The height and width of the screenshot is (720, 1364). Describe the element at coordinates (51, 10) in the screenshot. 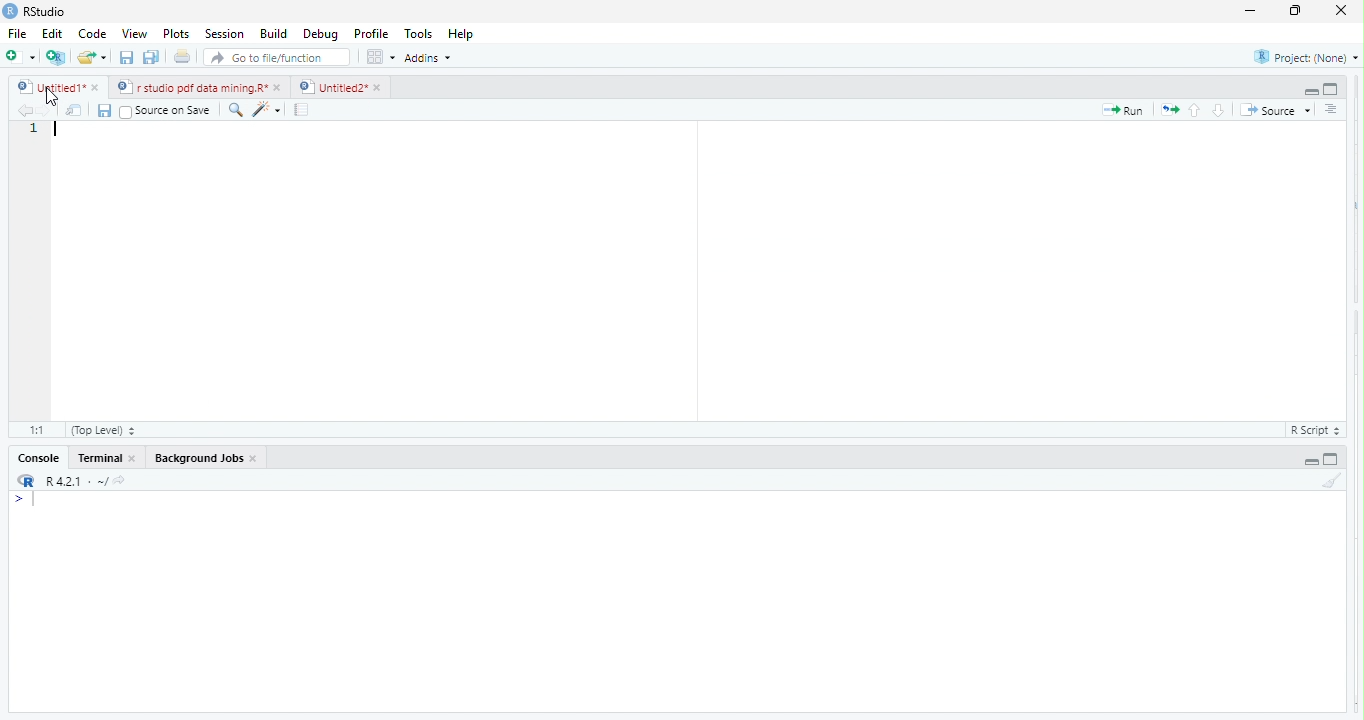

I see `RStudio` at that location.